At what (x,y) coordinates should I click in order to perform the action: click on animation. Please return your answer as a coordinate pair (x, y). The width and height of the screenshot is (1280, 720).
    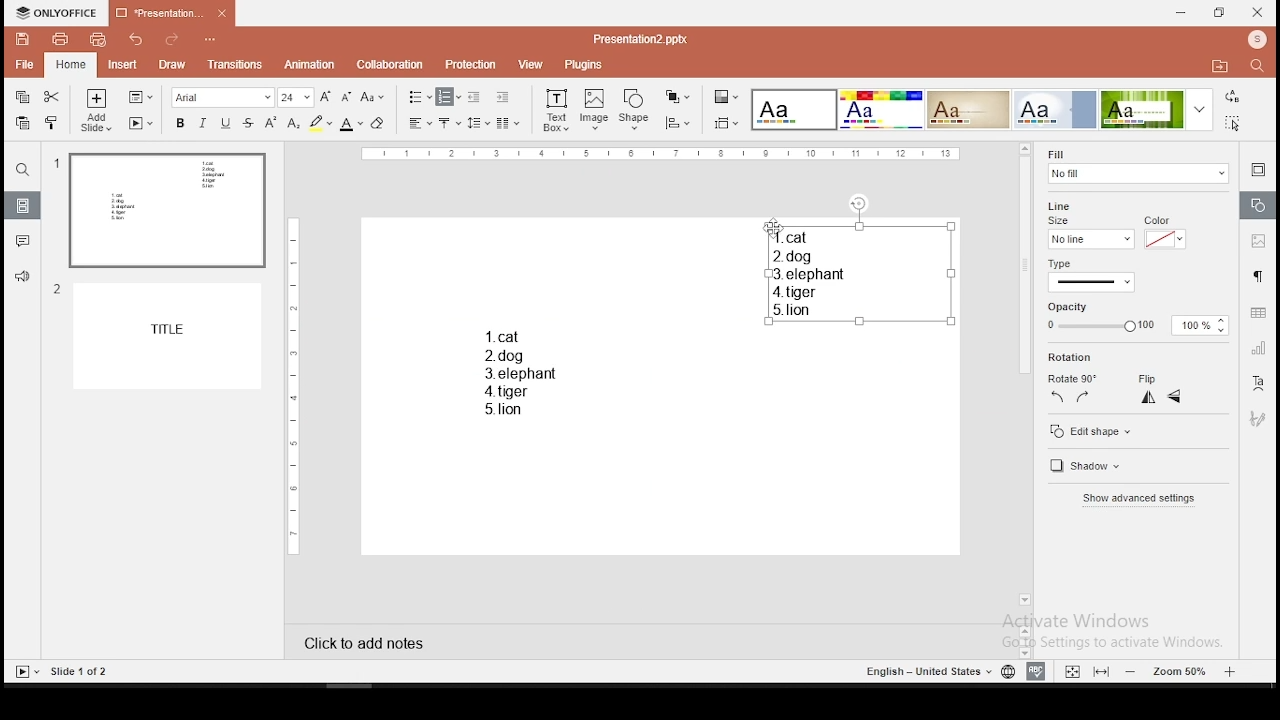
    Looking at the image, I should click on (311, 65).